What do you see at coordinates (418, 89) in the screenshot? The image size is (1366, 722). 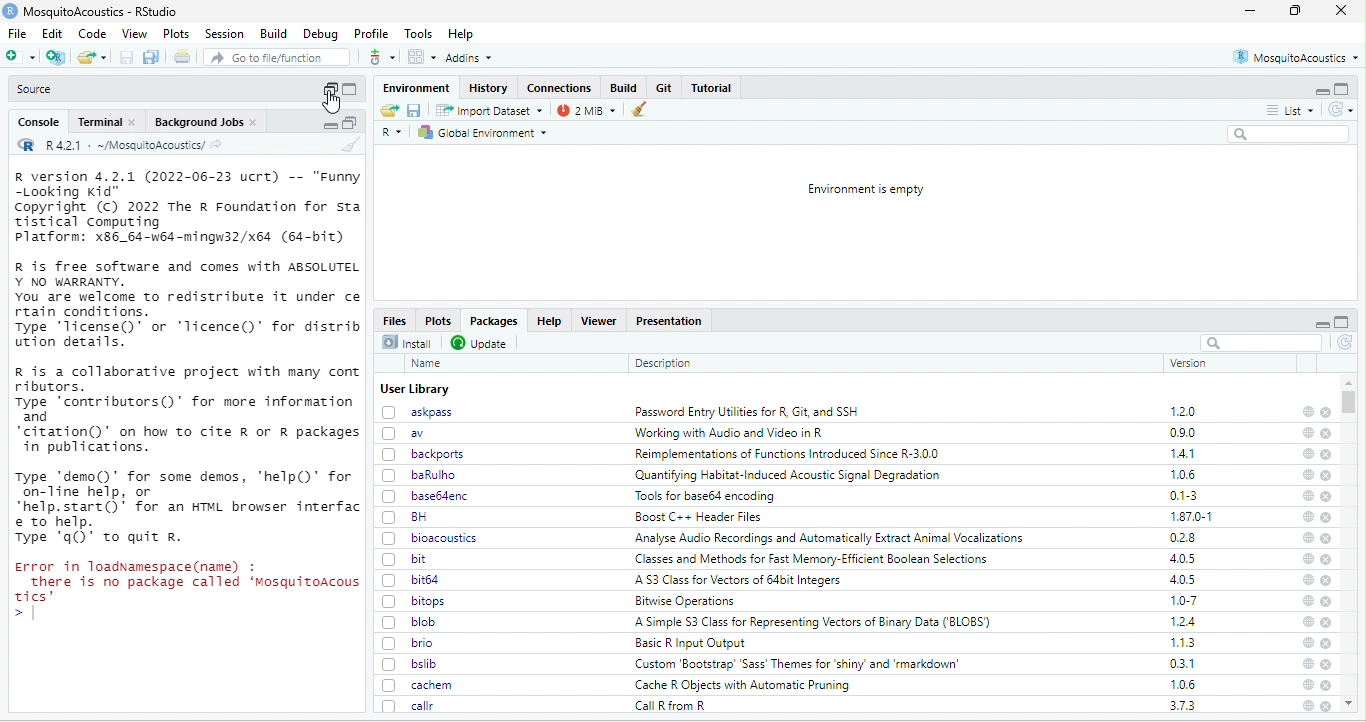 I see `Environment` at bounding box center [418, 89].